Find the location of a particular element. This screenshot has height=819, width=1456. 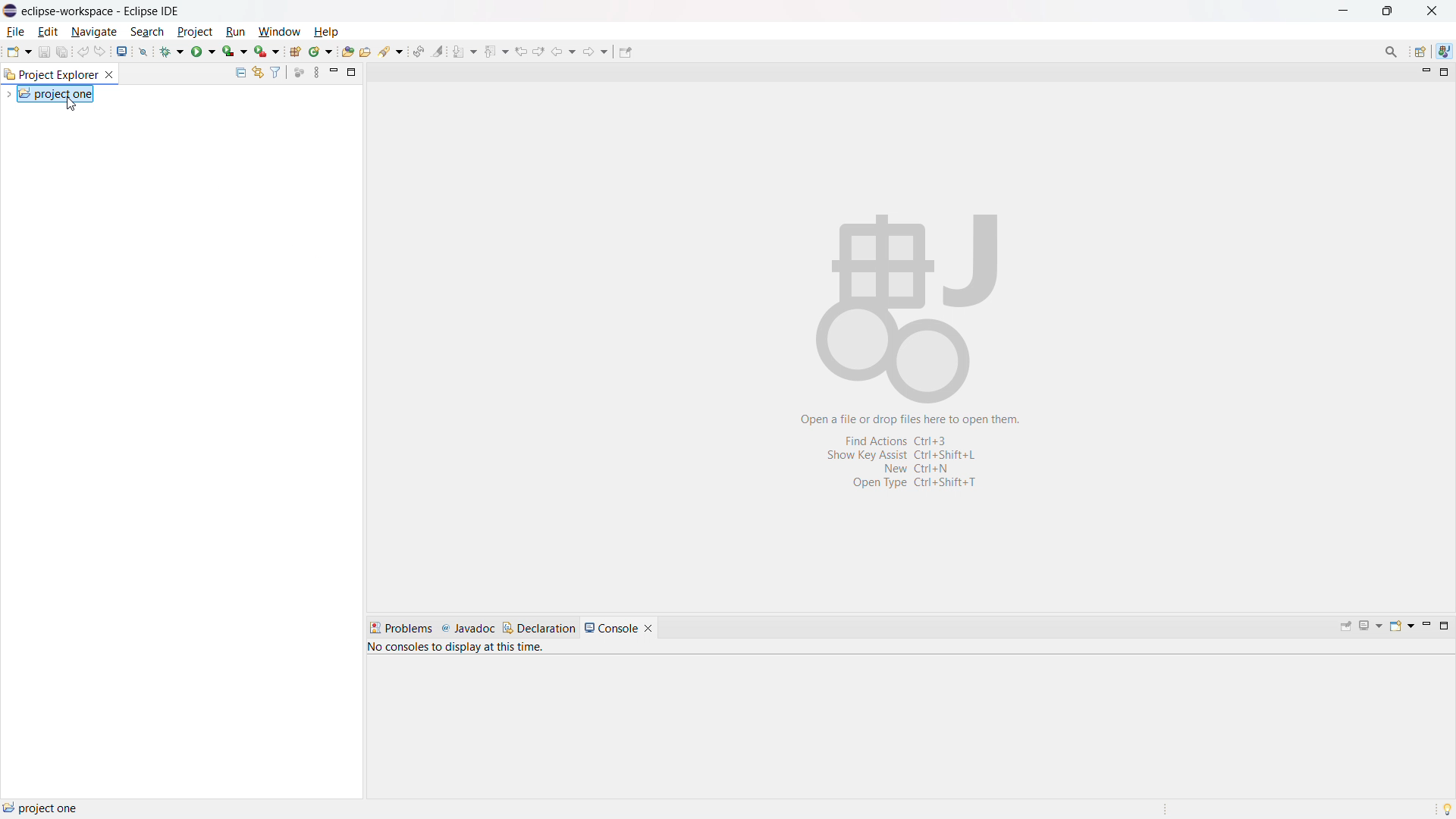

toggle ant mark occurances is located at coordinates (438, 51).